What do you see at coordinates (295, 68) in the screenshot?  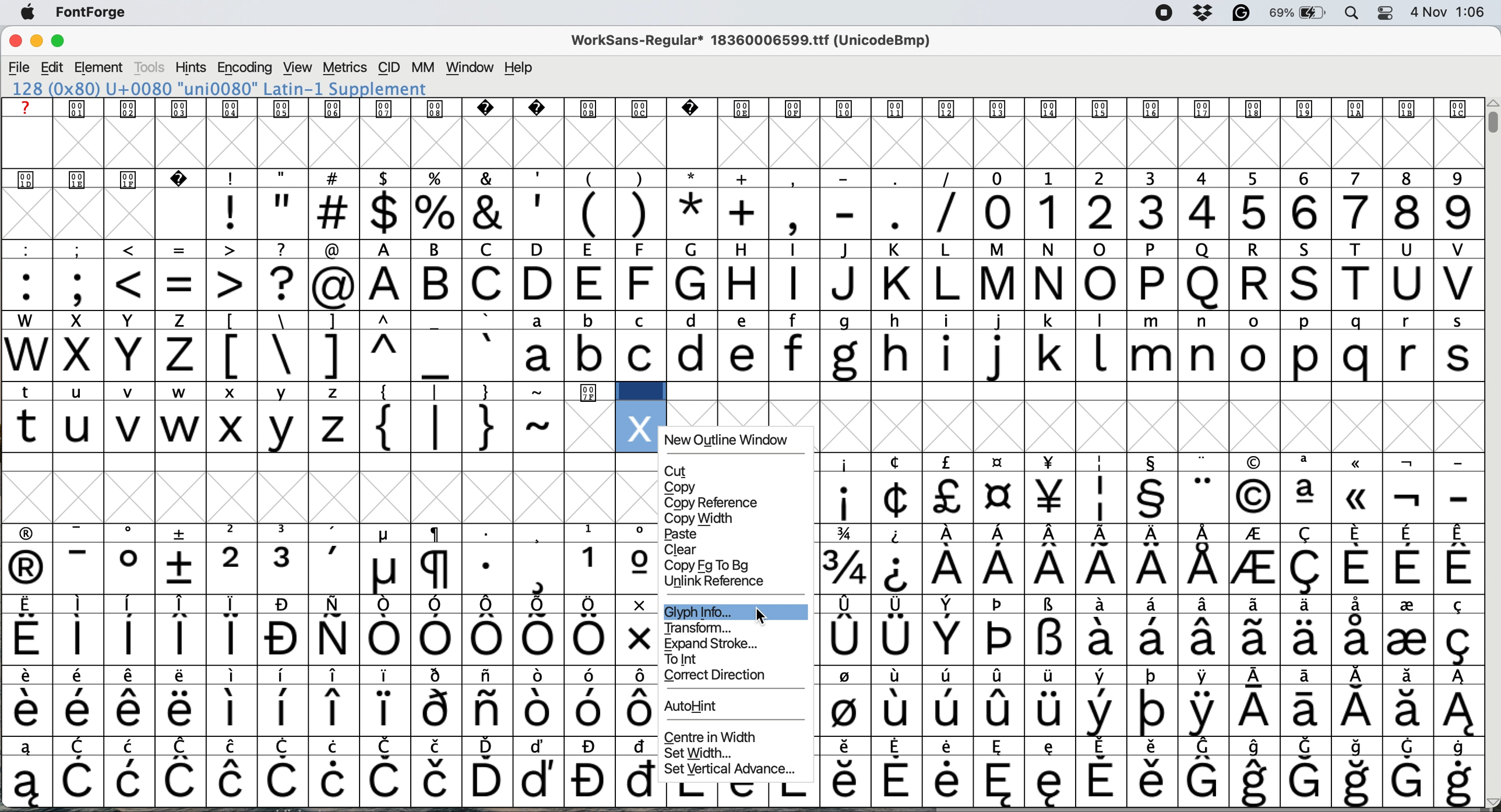 I see `view` at bounding box center [295, 68].